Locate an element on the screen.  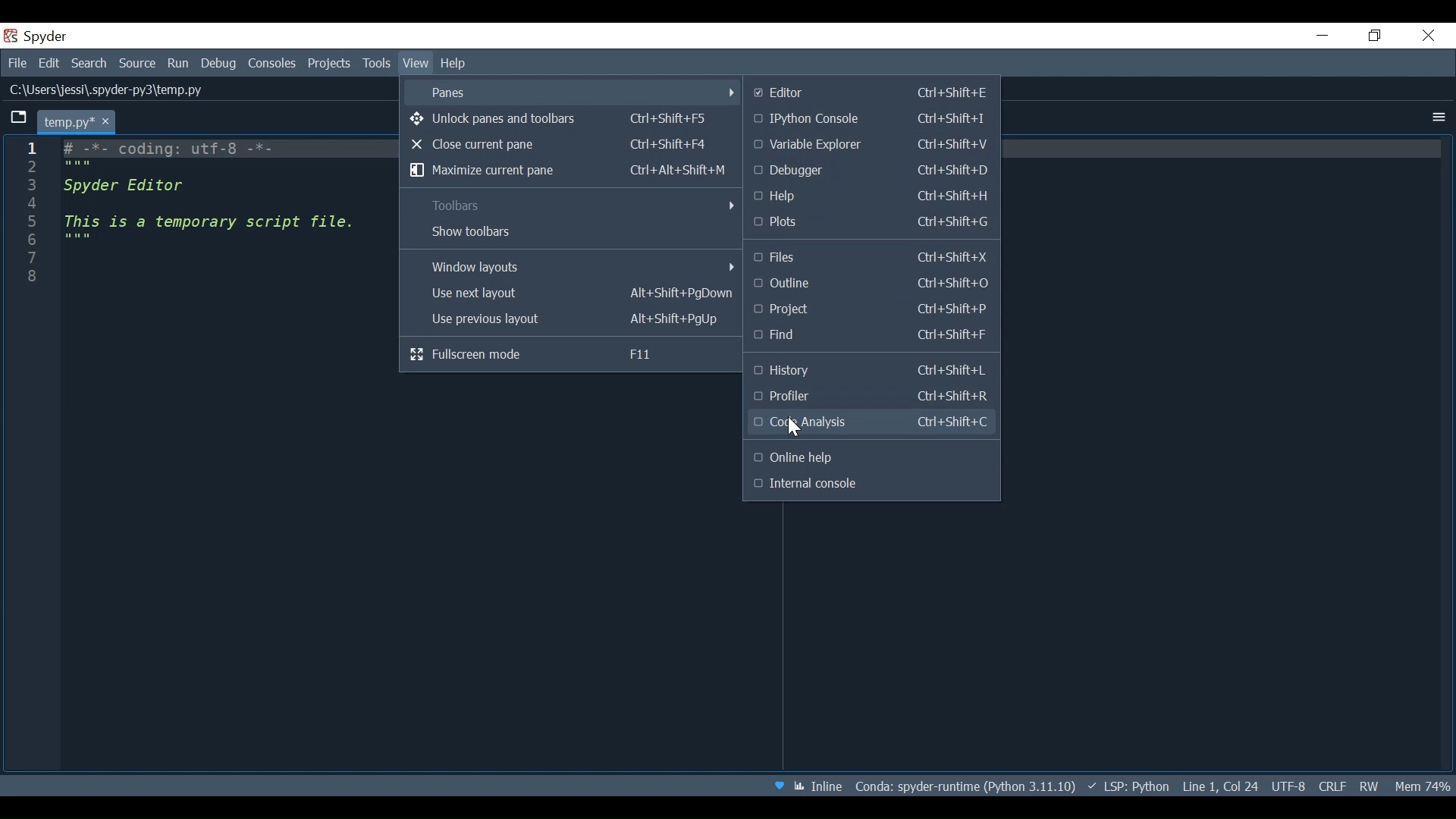
Run is located at coordinates (180, 63).